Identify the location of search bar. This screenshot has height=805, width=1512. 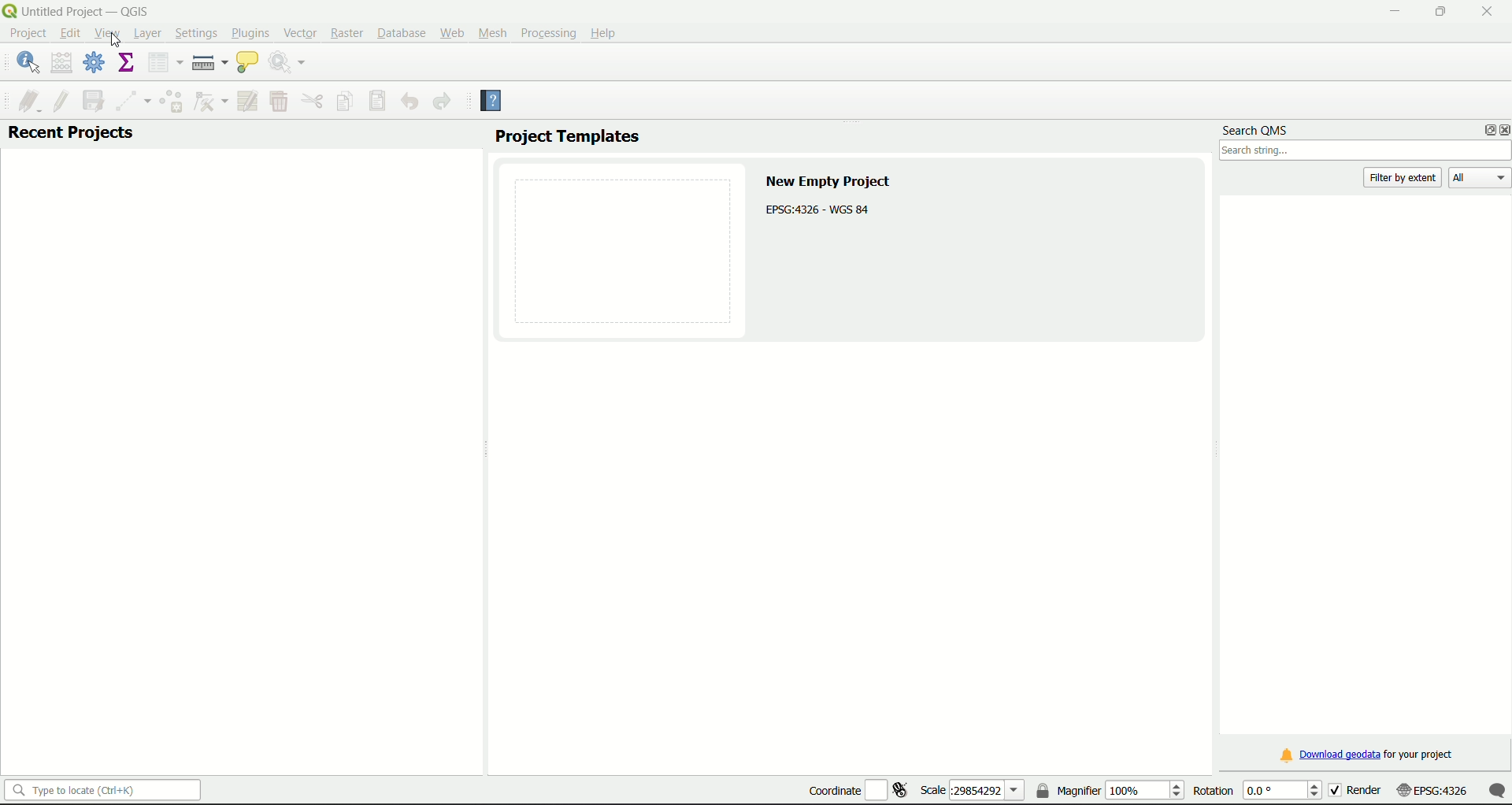
(103, 790).